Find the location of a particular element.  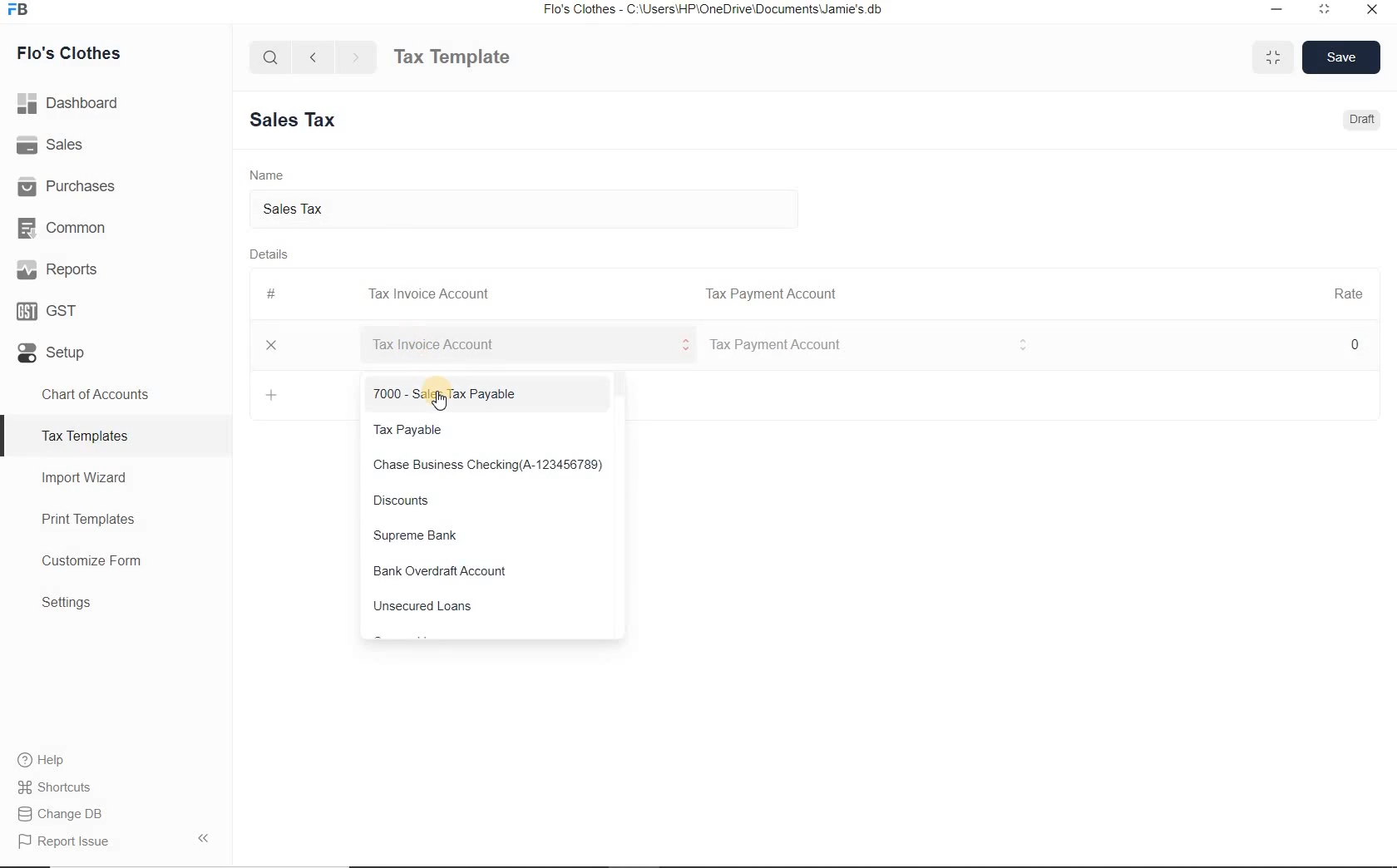

Name is located at coordinates (267, 174).